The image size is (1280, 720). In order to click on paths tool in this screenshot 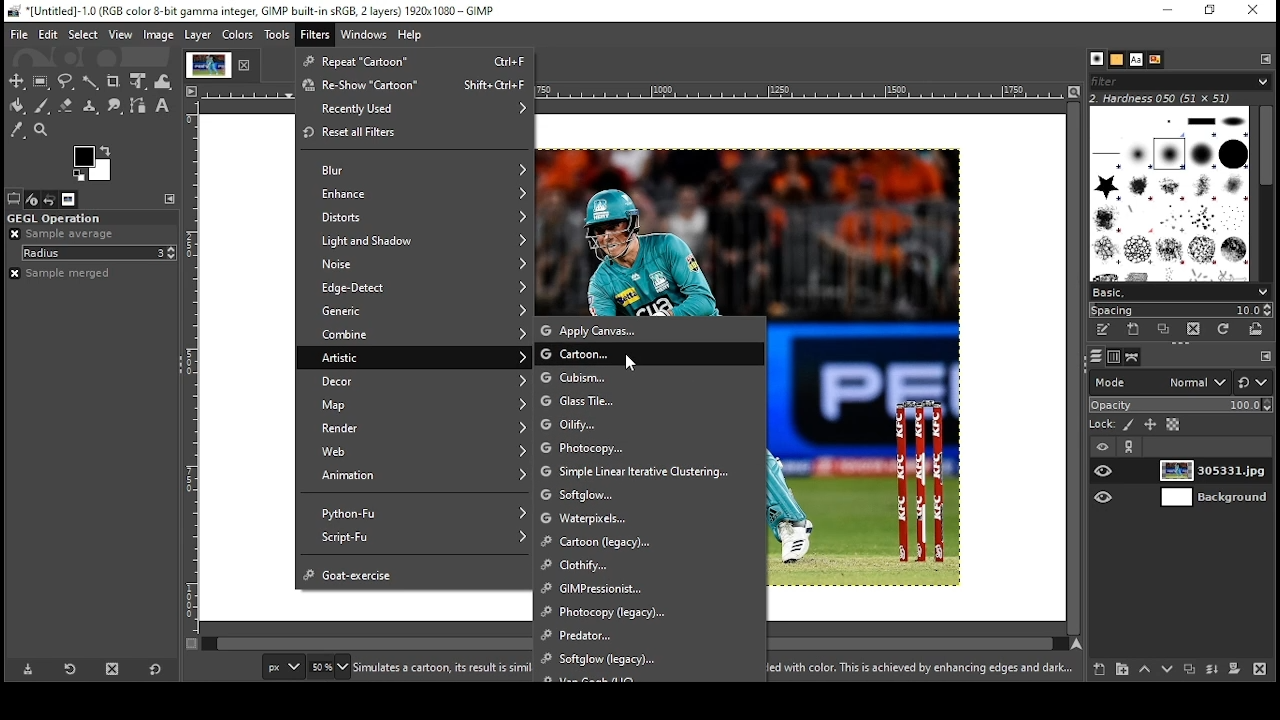, I will do `click(139, 105)`.